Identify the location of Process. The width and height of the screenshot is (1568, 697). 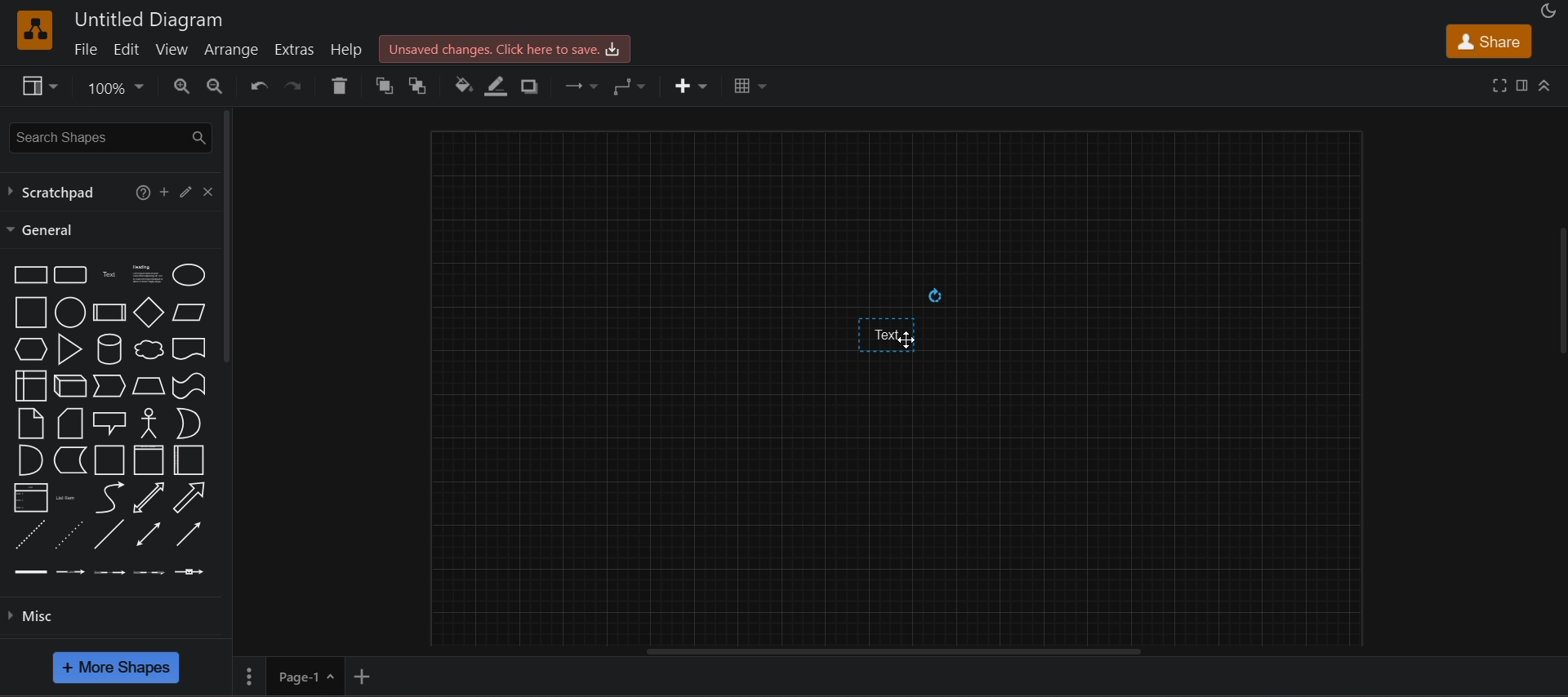
(109, 313).